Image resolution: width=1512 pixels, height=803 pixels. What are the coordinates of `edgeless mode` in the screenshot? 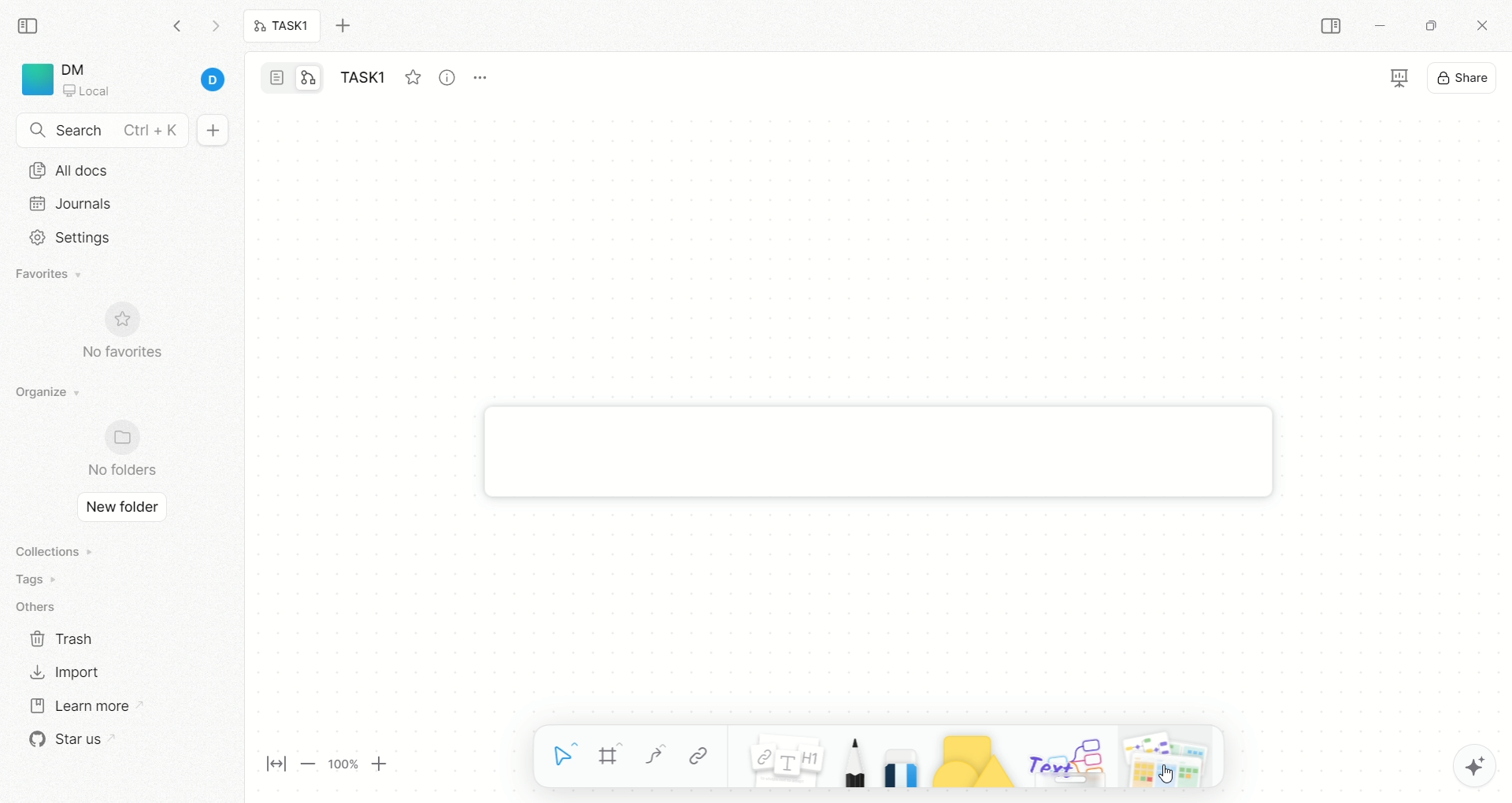 It's located at (309, 77).